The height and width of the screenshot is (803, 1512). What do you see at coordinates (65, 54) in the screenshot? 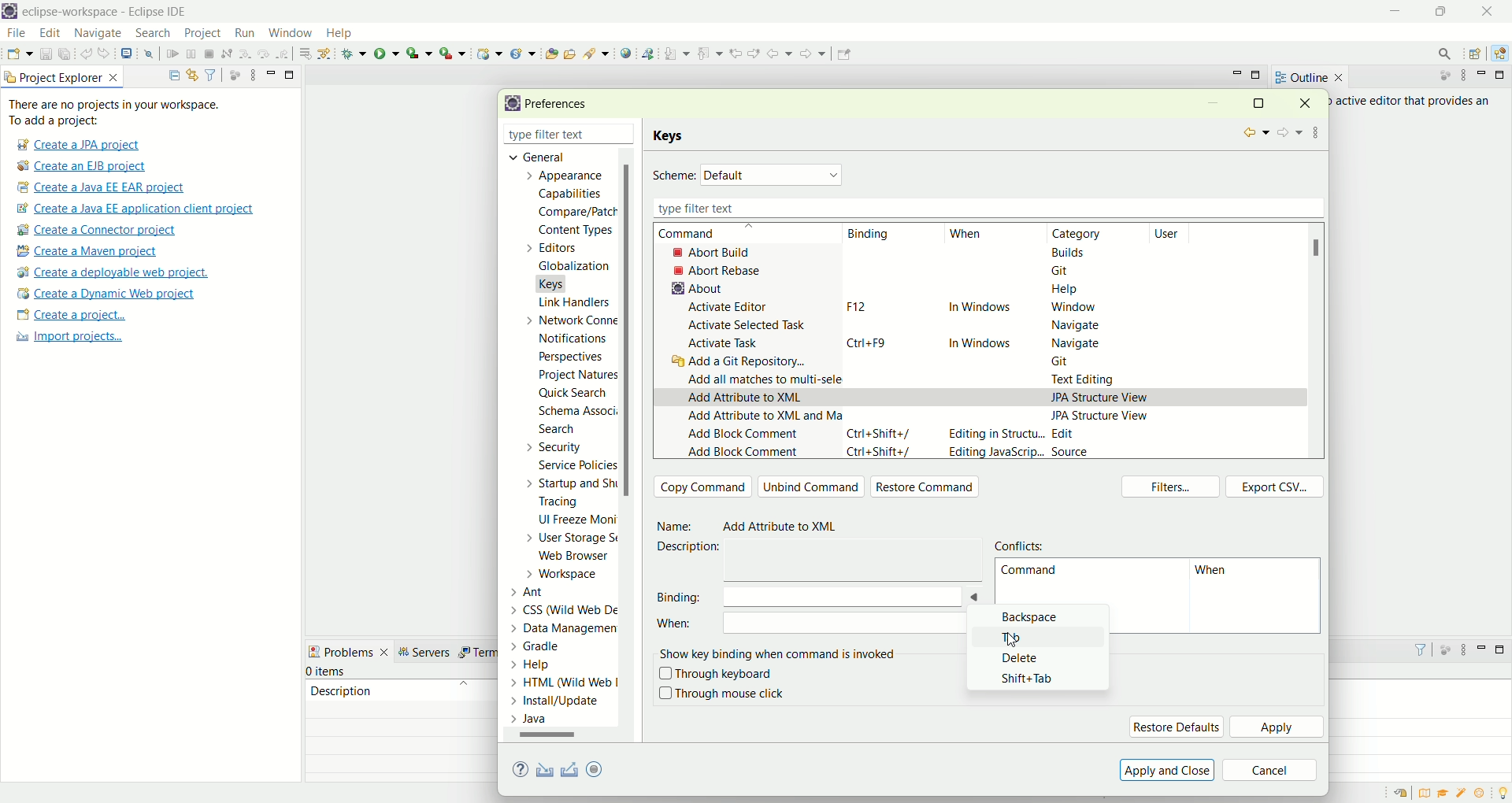
I see `save all` at bounding box center [65, 54].